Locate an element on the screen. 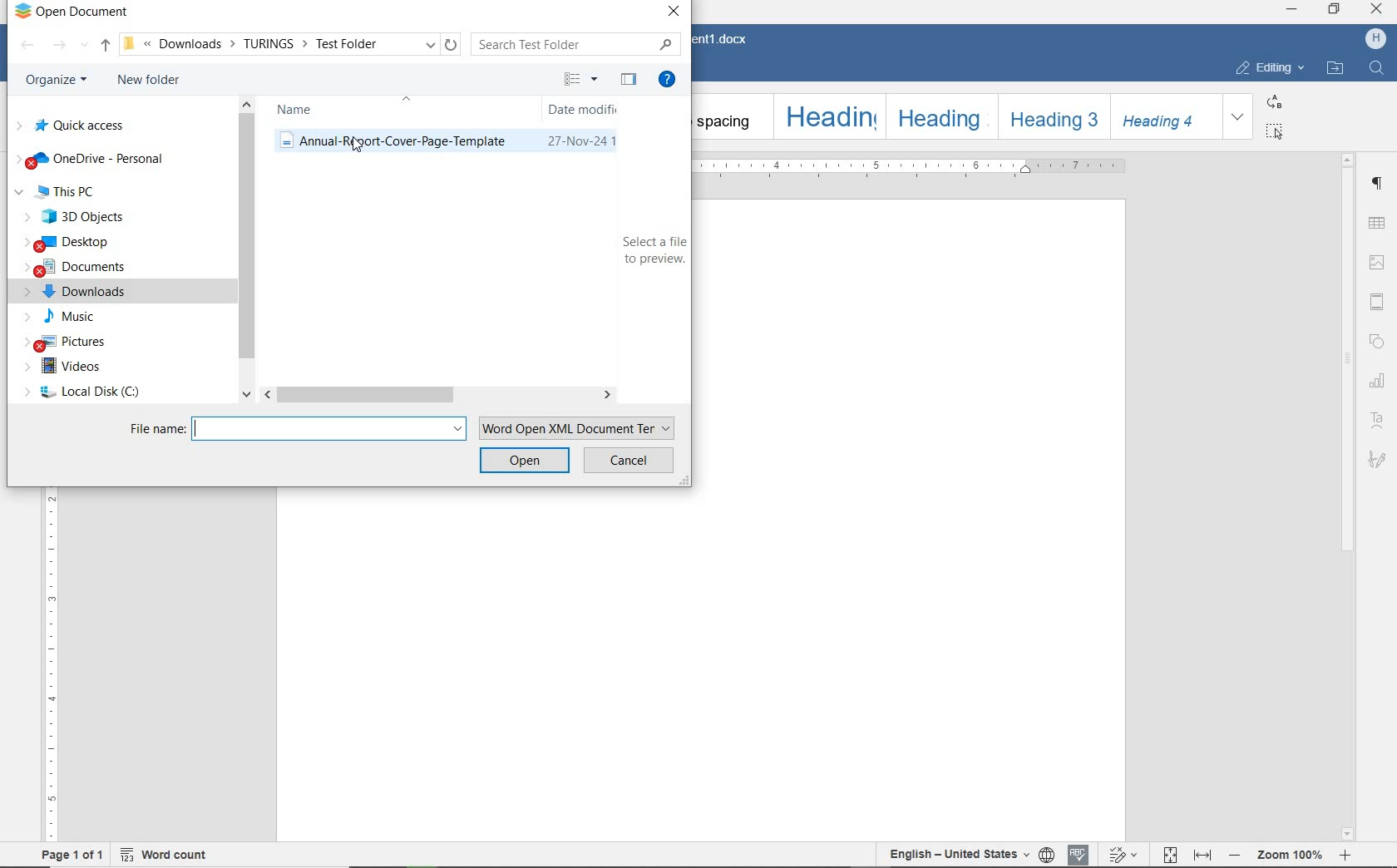 The height and width of the screenshot is (868, 1397). new folder is located at coordinates (149, 81).